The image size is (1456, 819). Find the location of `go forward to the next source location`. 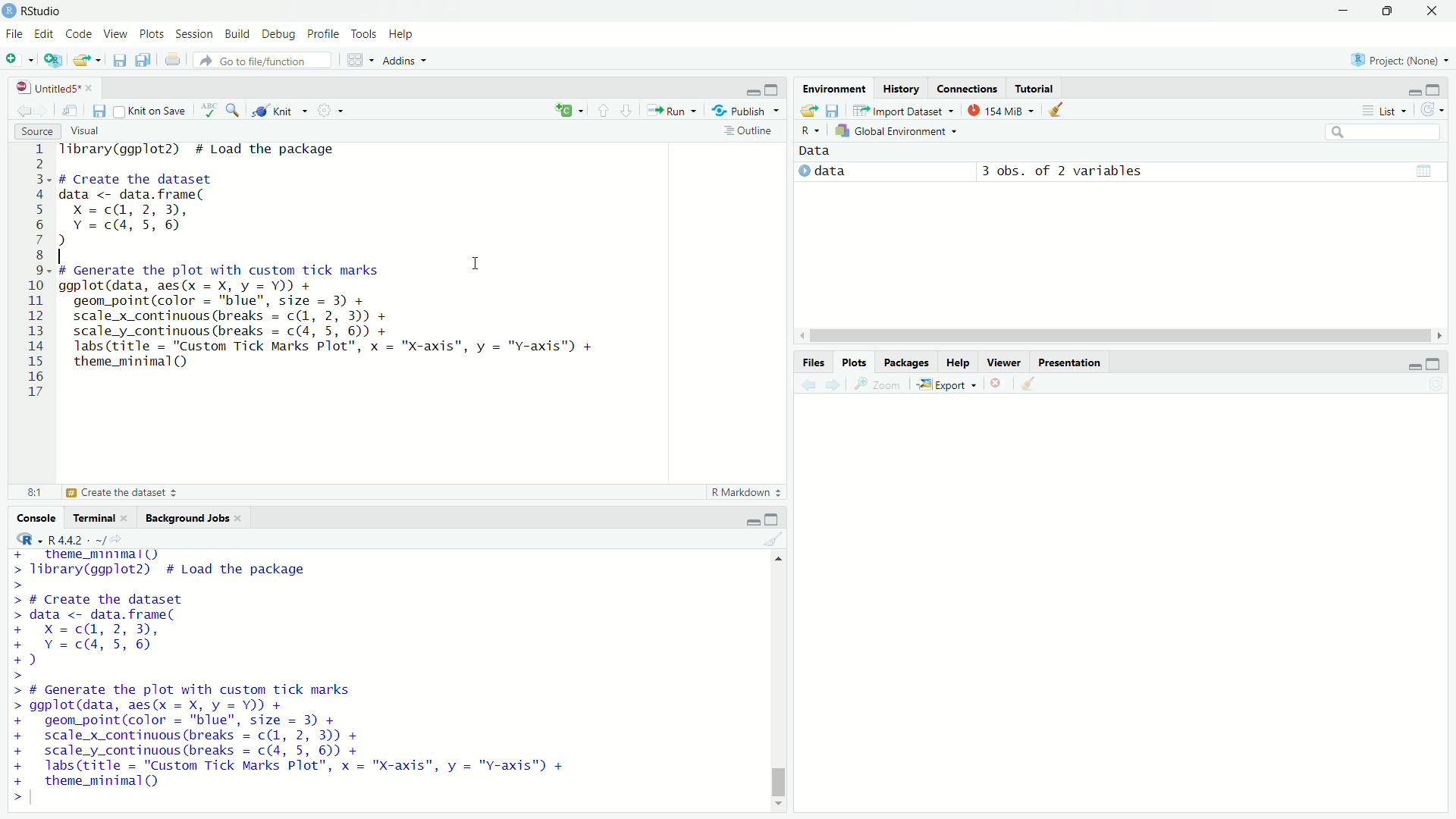

go forward to the next source location is located at coordinates (45, 110).